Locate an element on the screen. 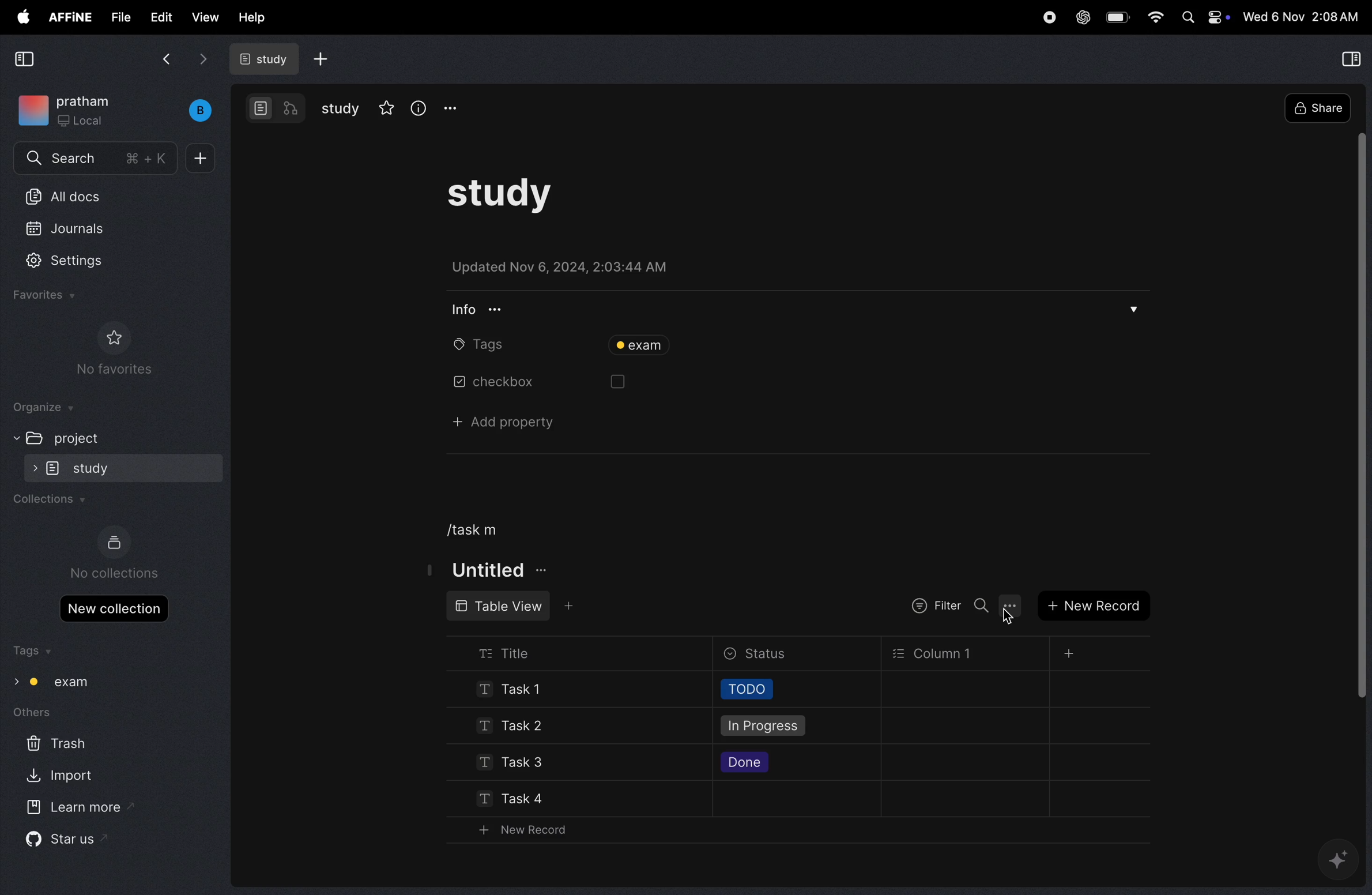 The width and height of the screenshot is (1372, 895). task 3 is located at coordinates (506, 765).